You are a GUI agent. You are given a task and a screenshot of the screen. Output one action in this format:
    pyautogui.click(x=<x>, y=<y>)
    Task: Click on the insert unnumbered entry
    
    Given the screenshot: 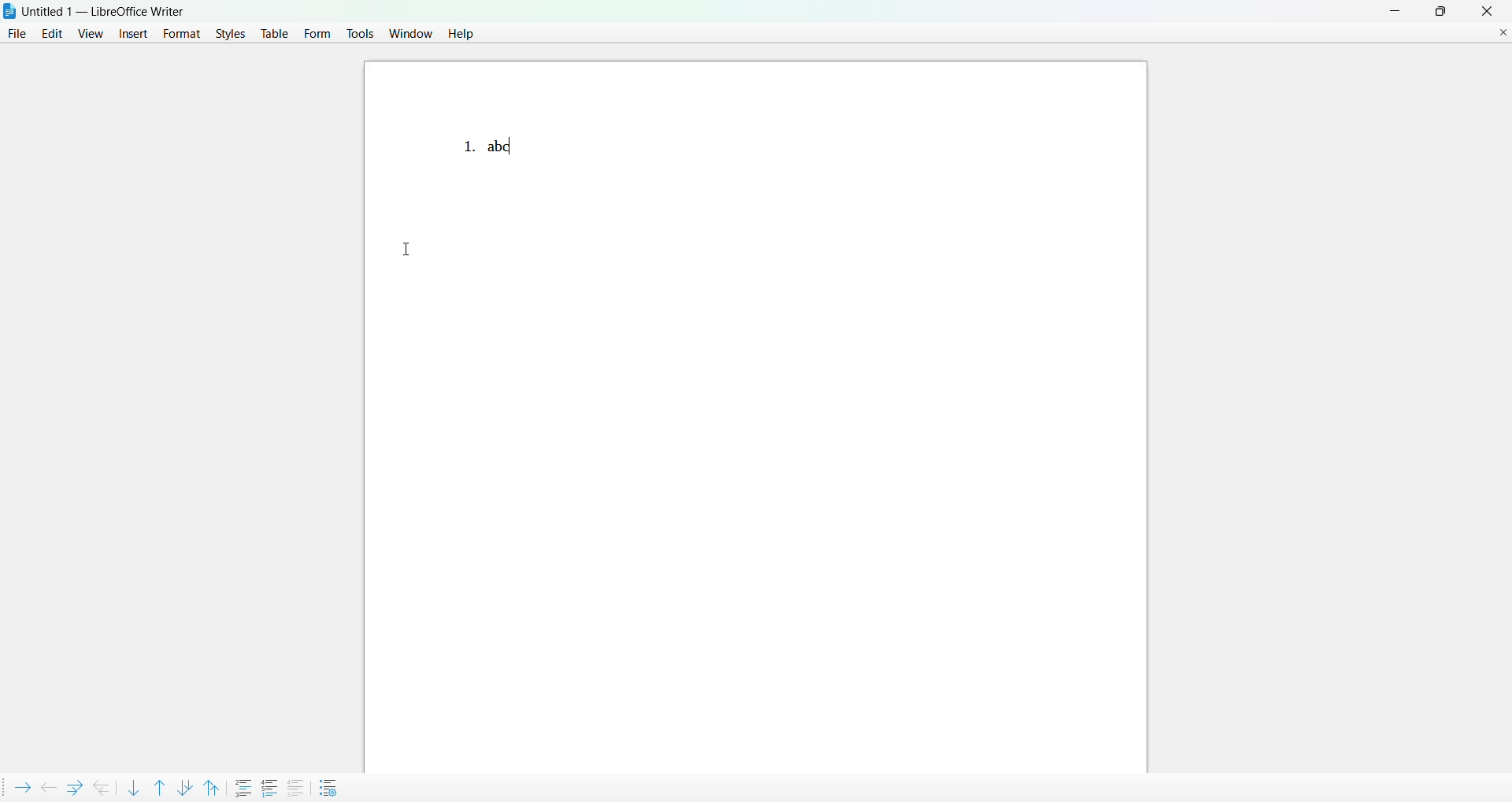 What is the action you would take?
    pyautogui.click(x=244, y=786)
    